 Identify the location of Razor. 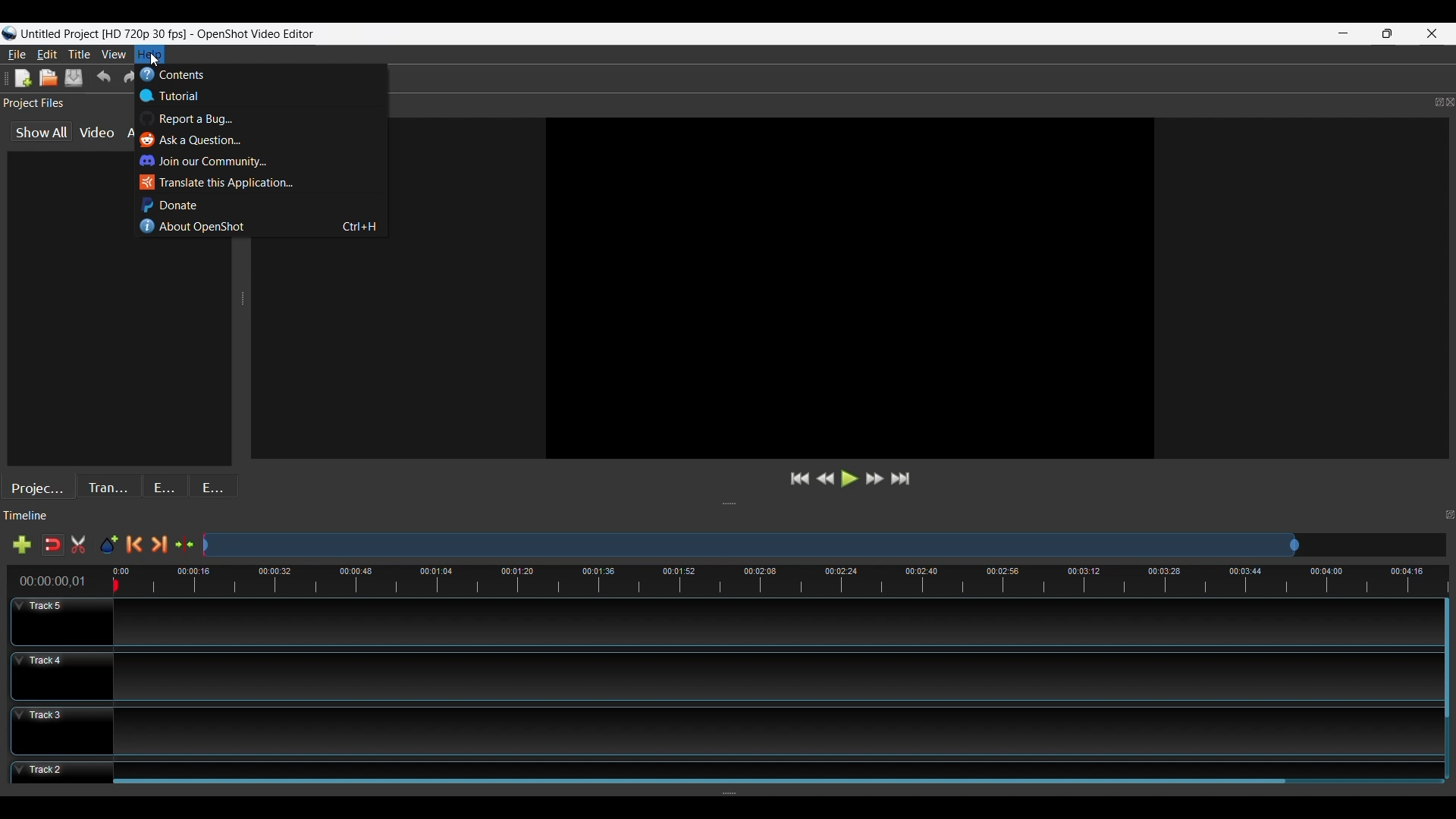
(79, 544).